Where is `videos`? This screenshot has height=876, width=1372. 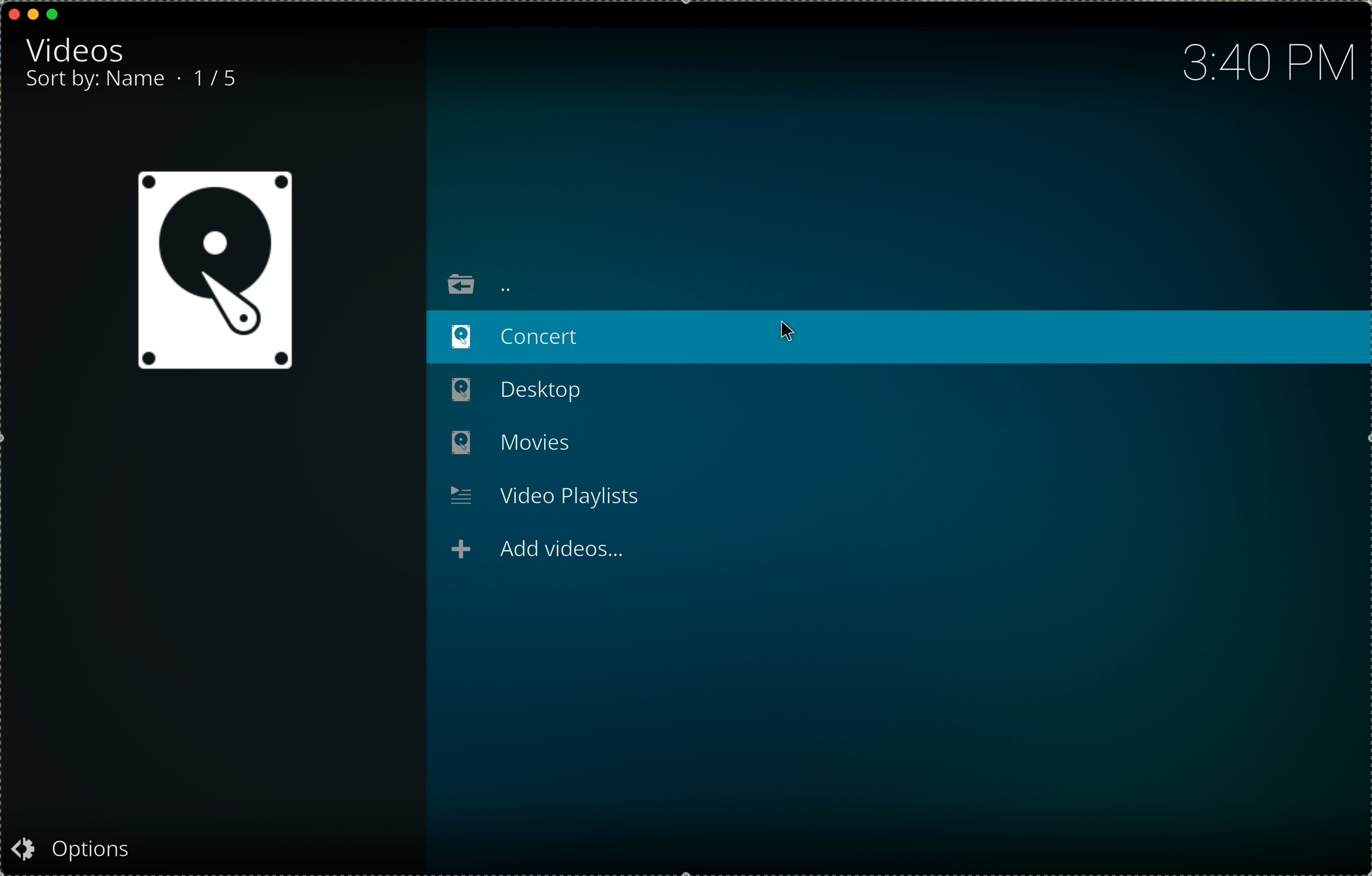
videos is located at coordinates (78, 48).